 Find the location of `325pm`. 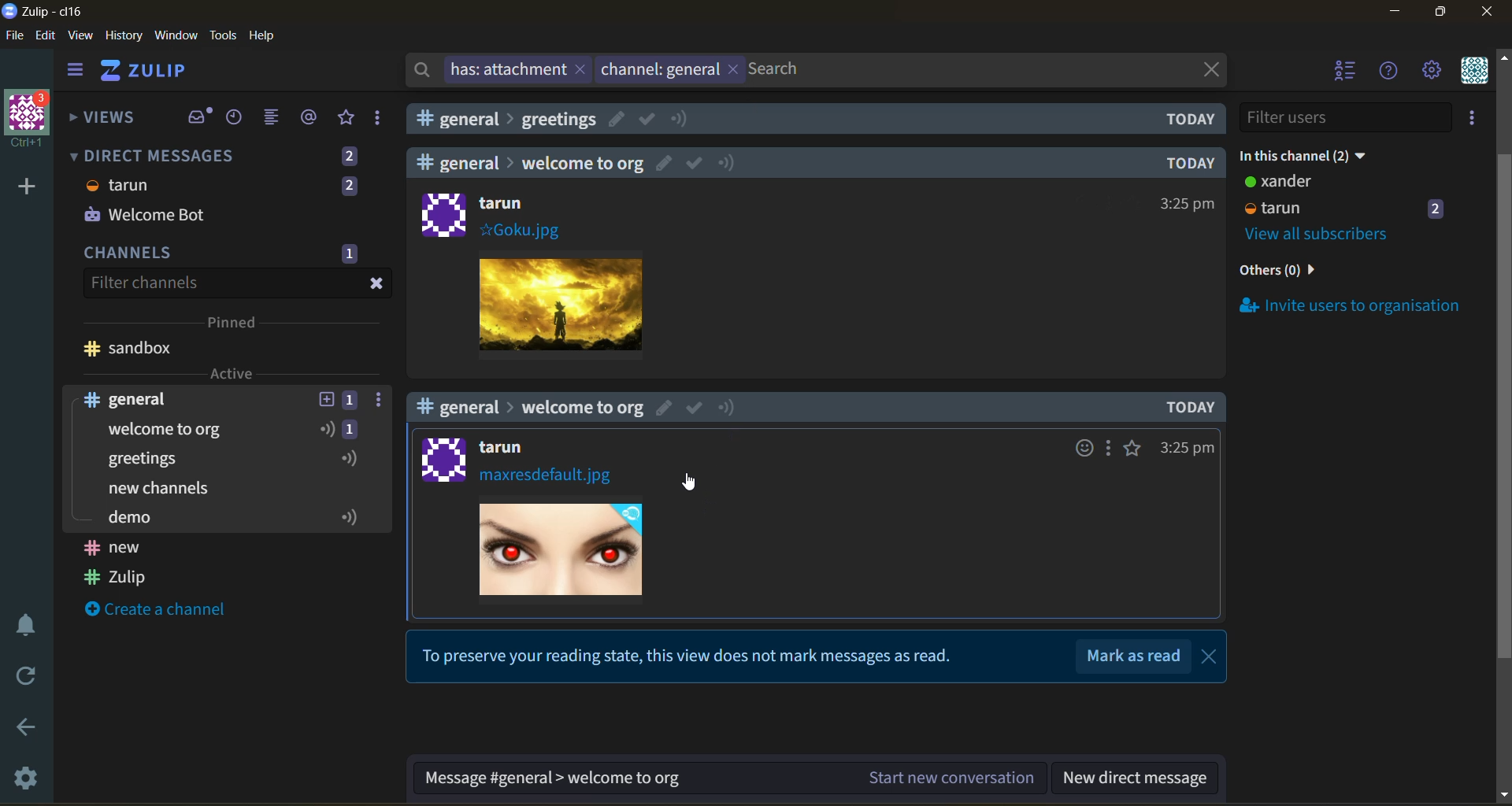

325pm is located at coordinates (1188, 202).